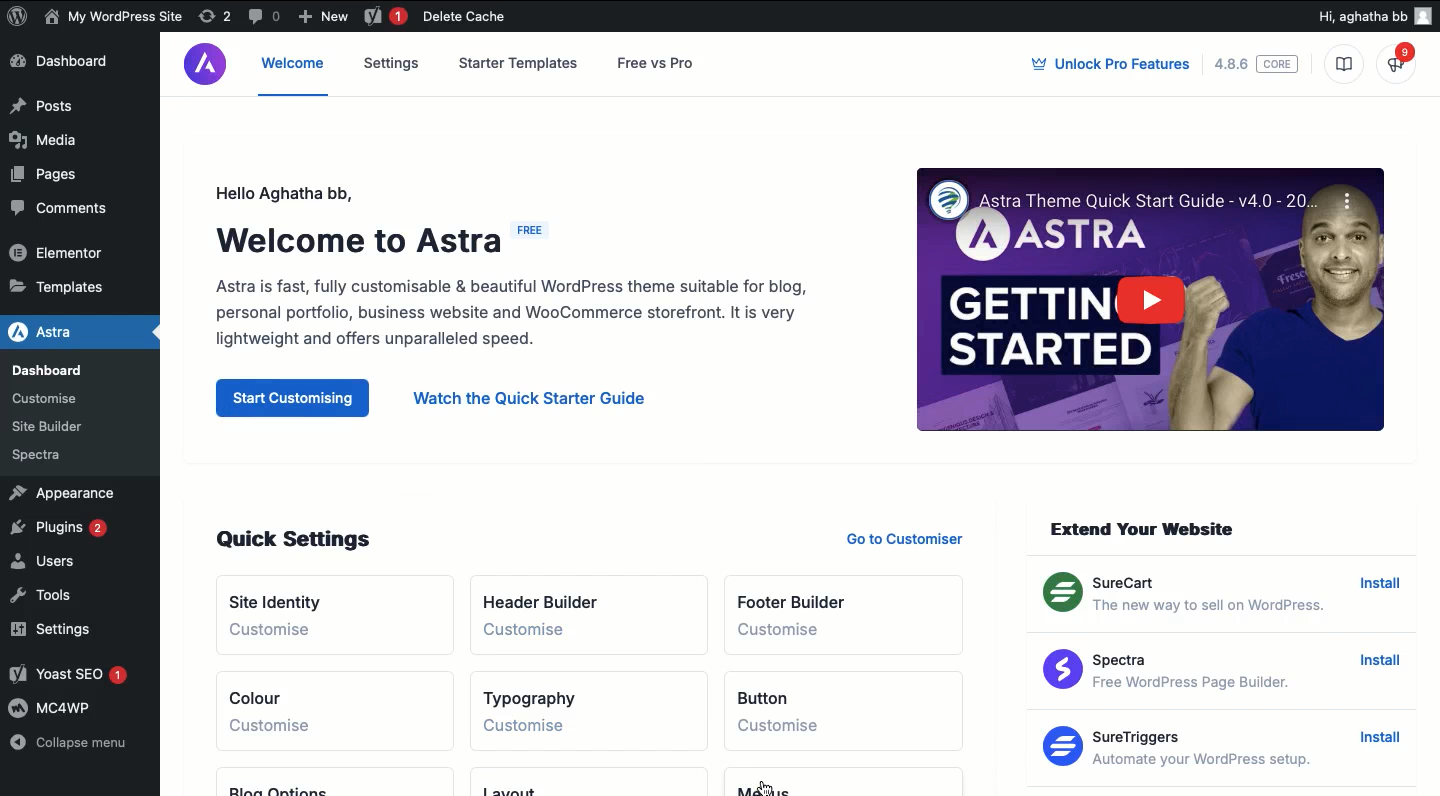  What do you see at coordinates (295, 398) in the screenshot?
I see `Start customizig` at bounding box center [295, 398].